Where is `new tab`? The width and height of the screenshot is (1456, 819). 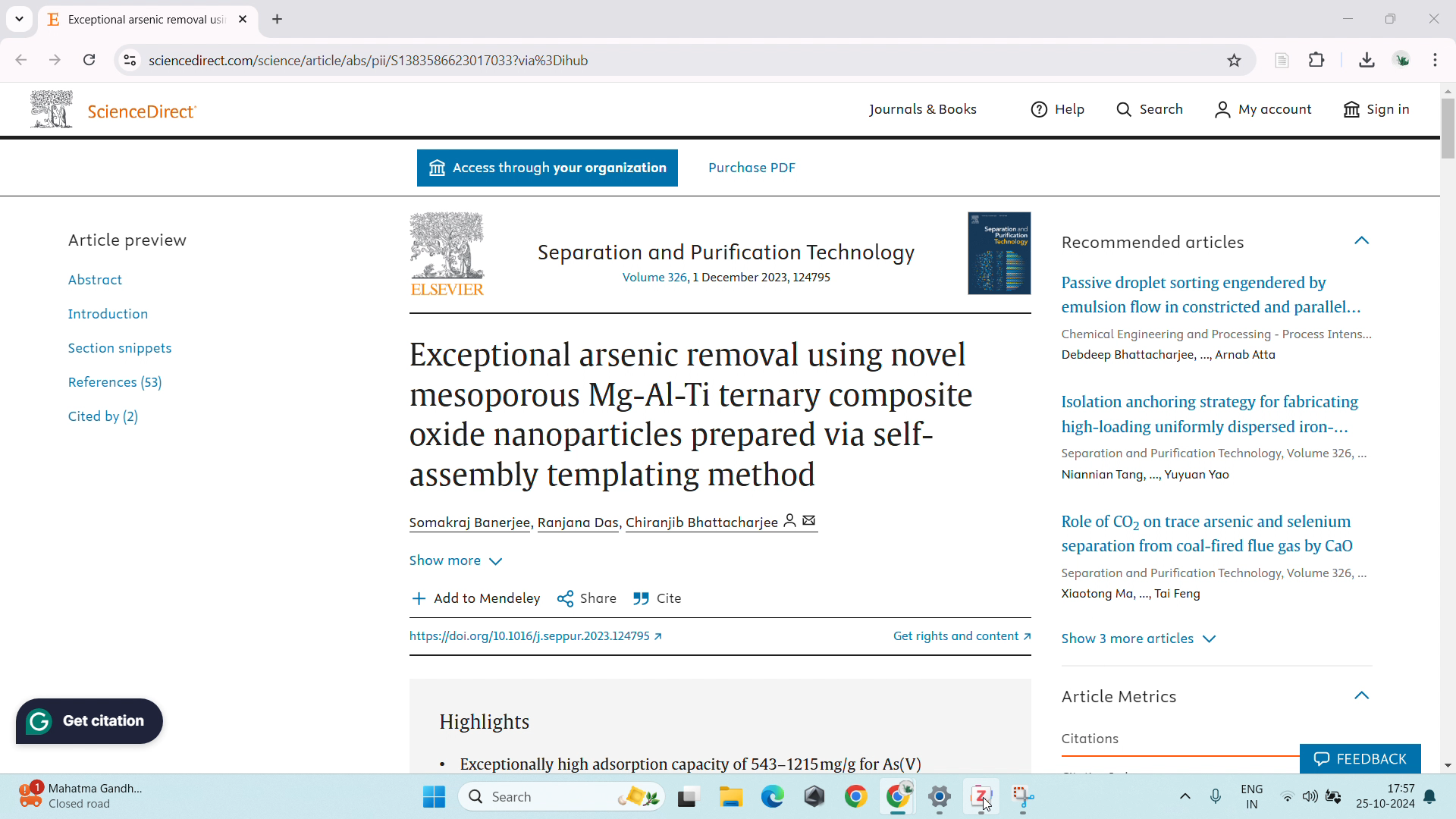 new tab is located at coordinates (278, 20).